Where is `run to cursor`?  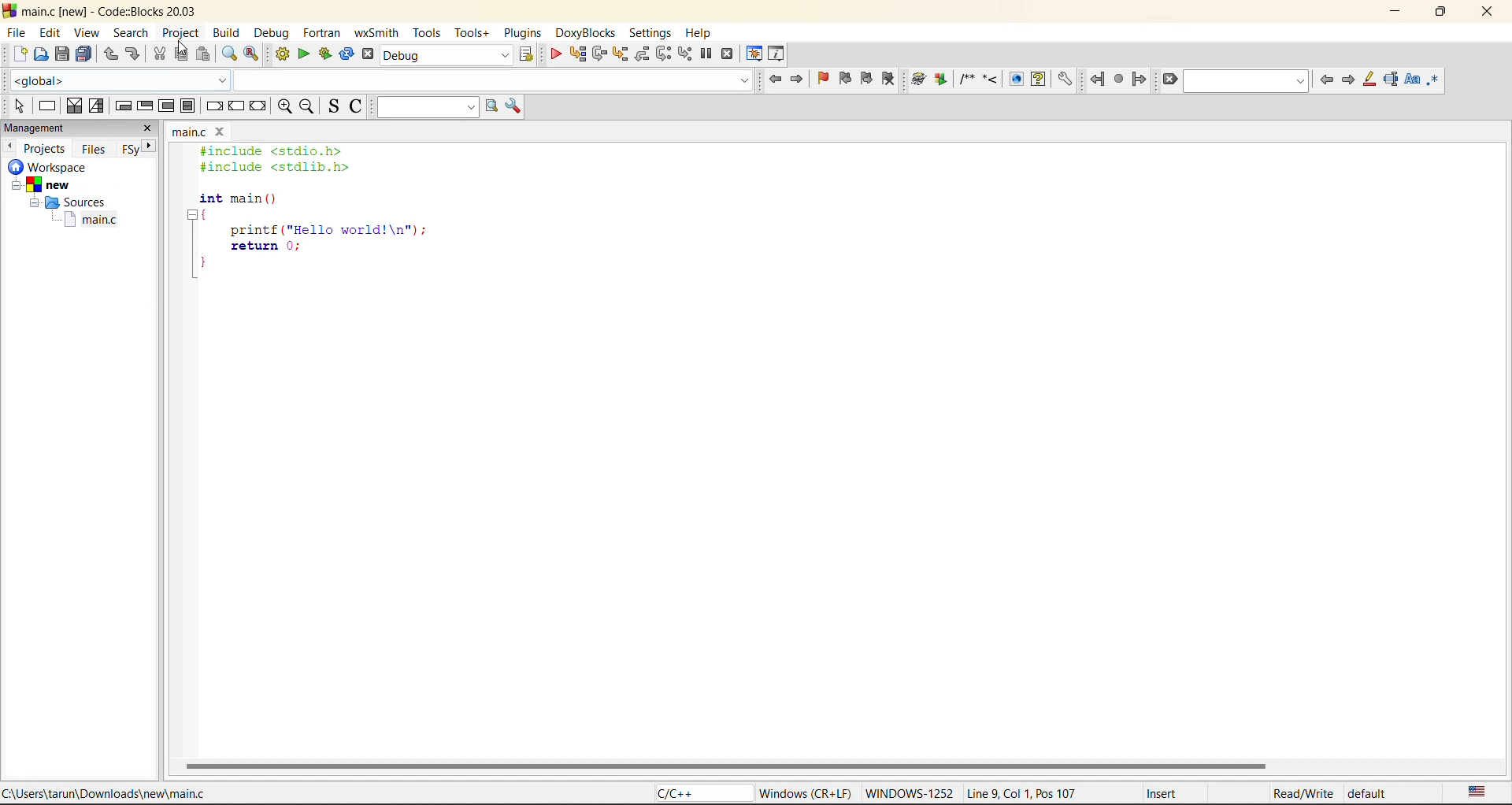 run to cursor is located at coordinates (579, 54).